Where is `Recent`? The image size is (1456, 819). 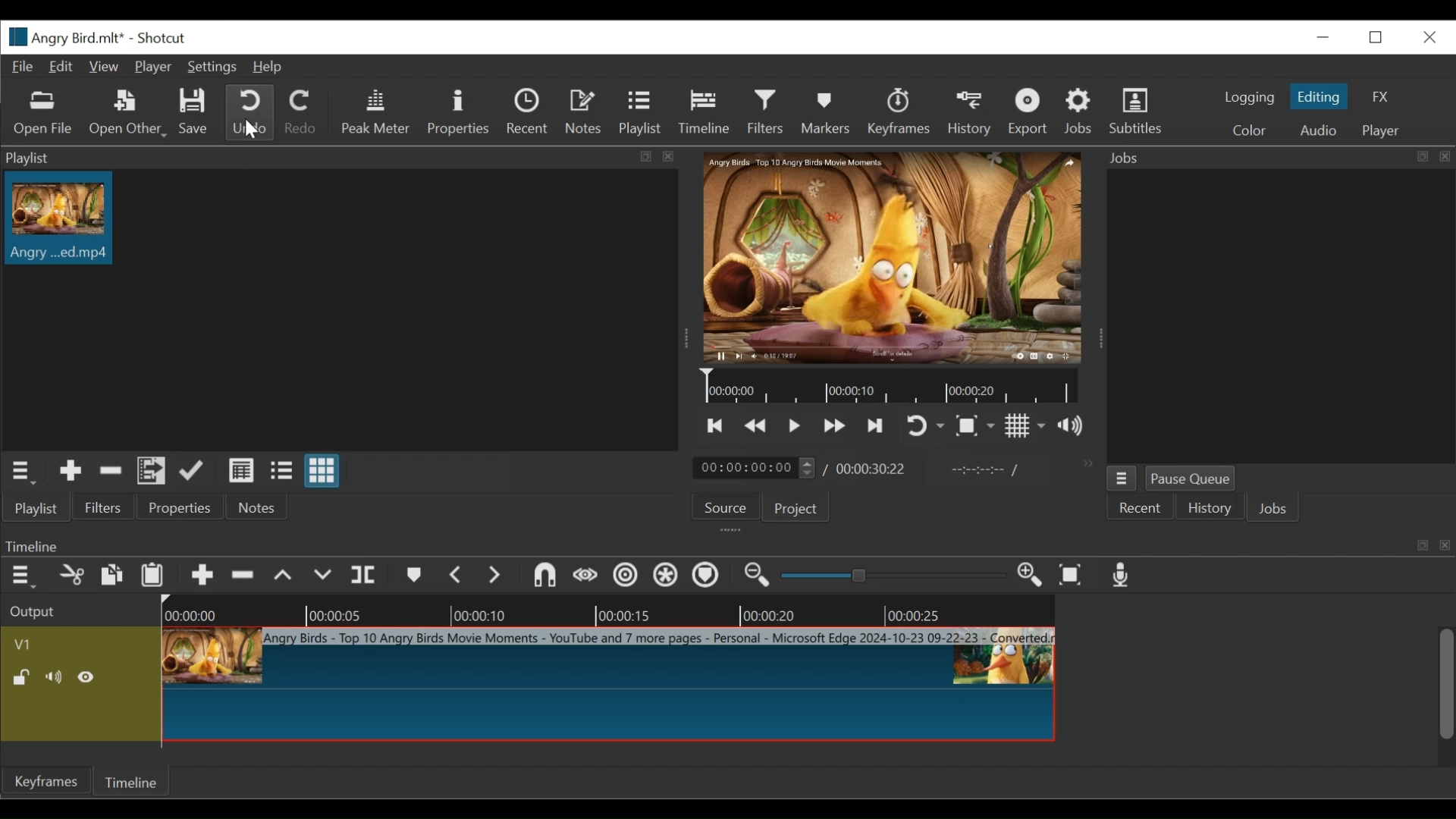
Recent is located at coordinates (529, 113).